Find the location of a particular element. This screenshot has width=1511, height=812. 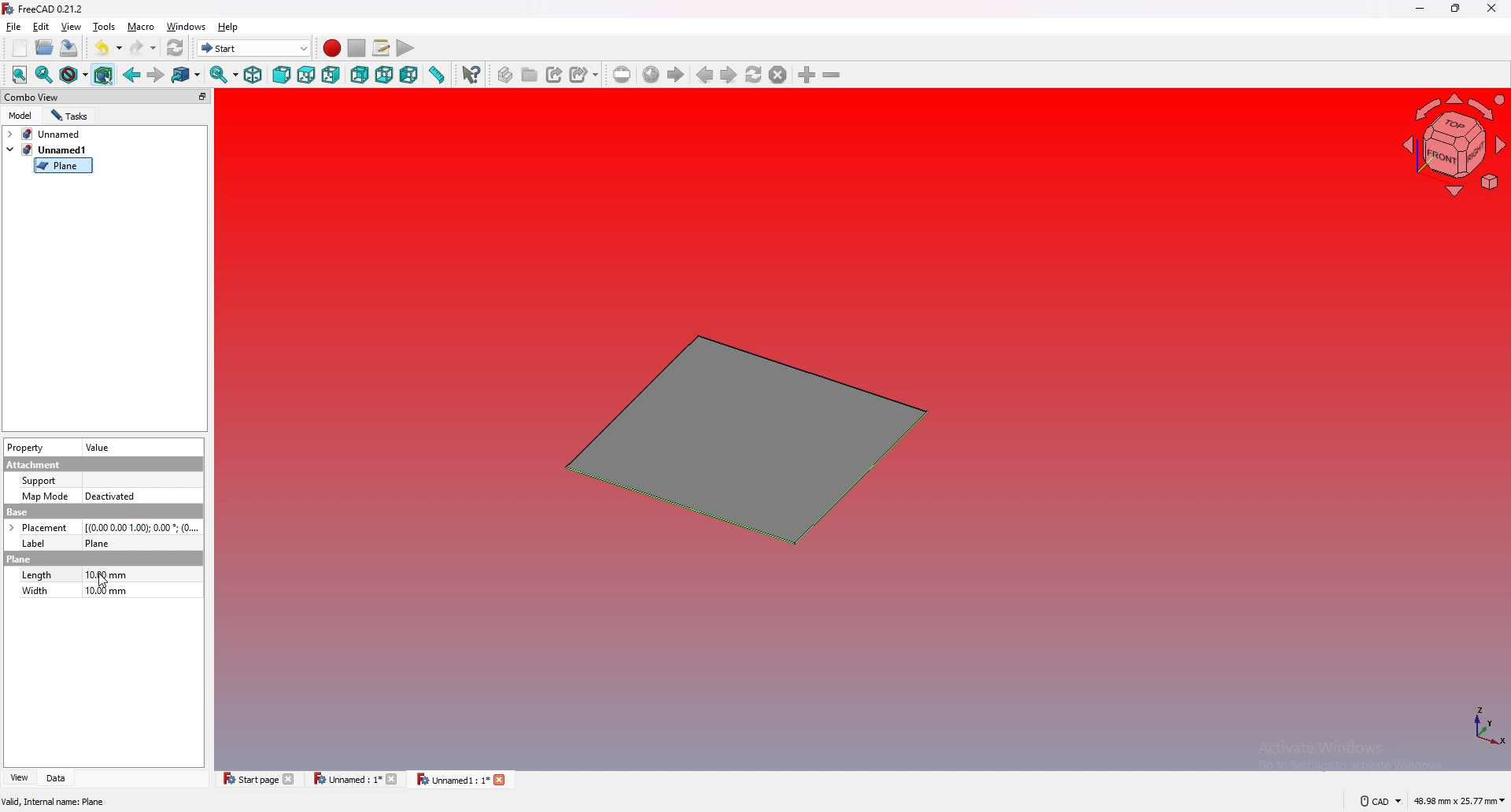

plane is located at coordinates (63, 166).